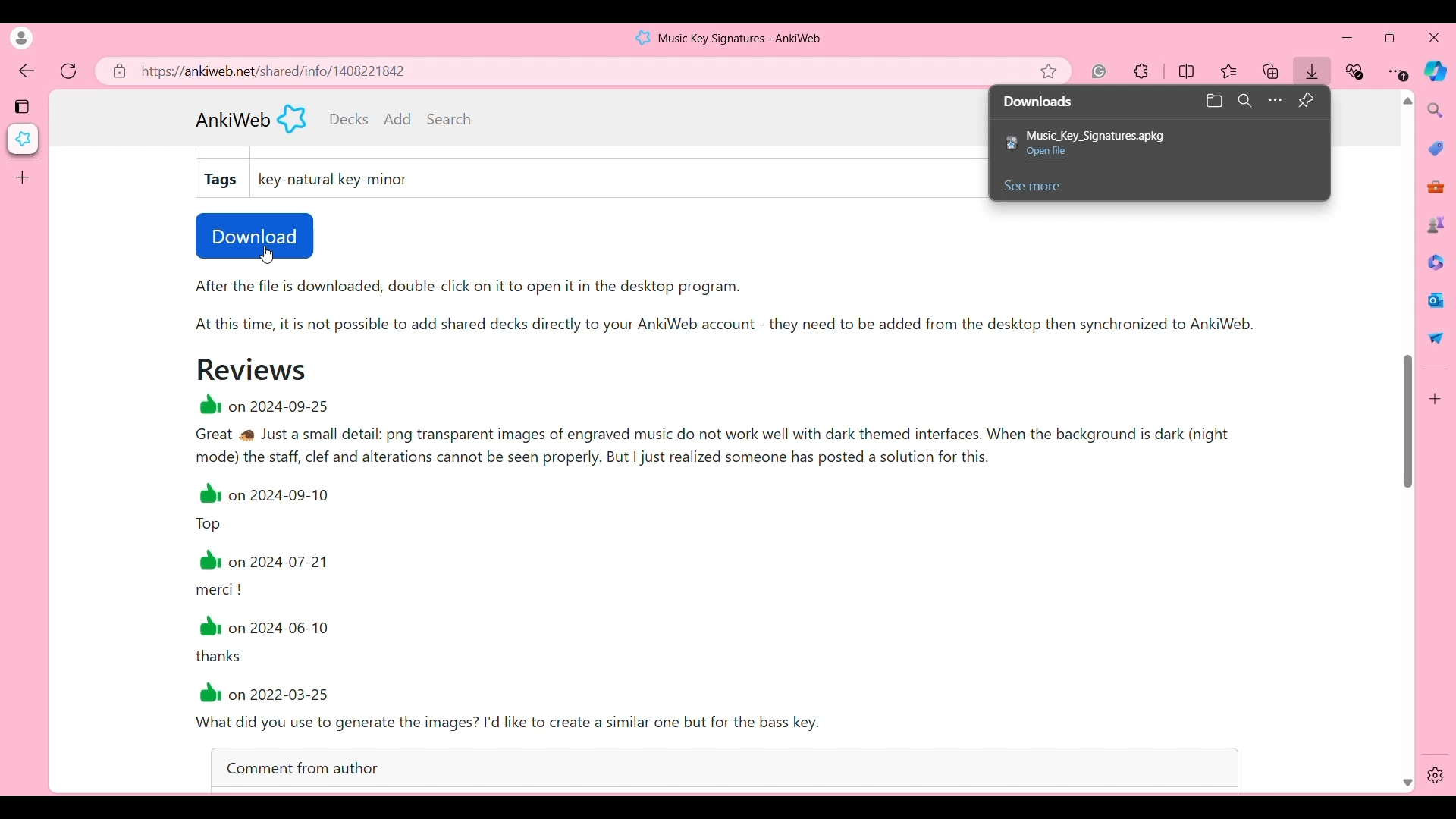 The height and width of the screenshot is (819, 1456). Describe the element at coordinates (1244, 101) in the screenshot. I see `Search downloads` at that location.